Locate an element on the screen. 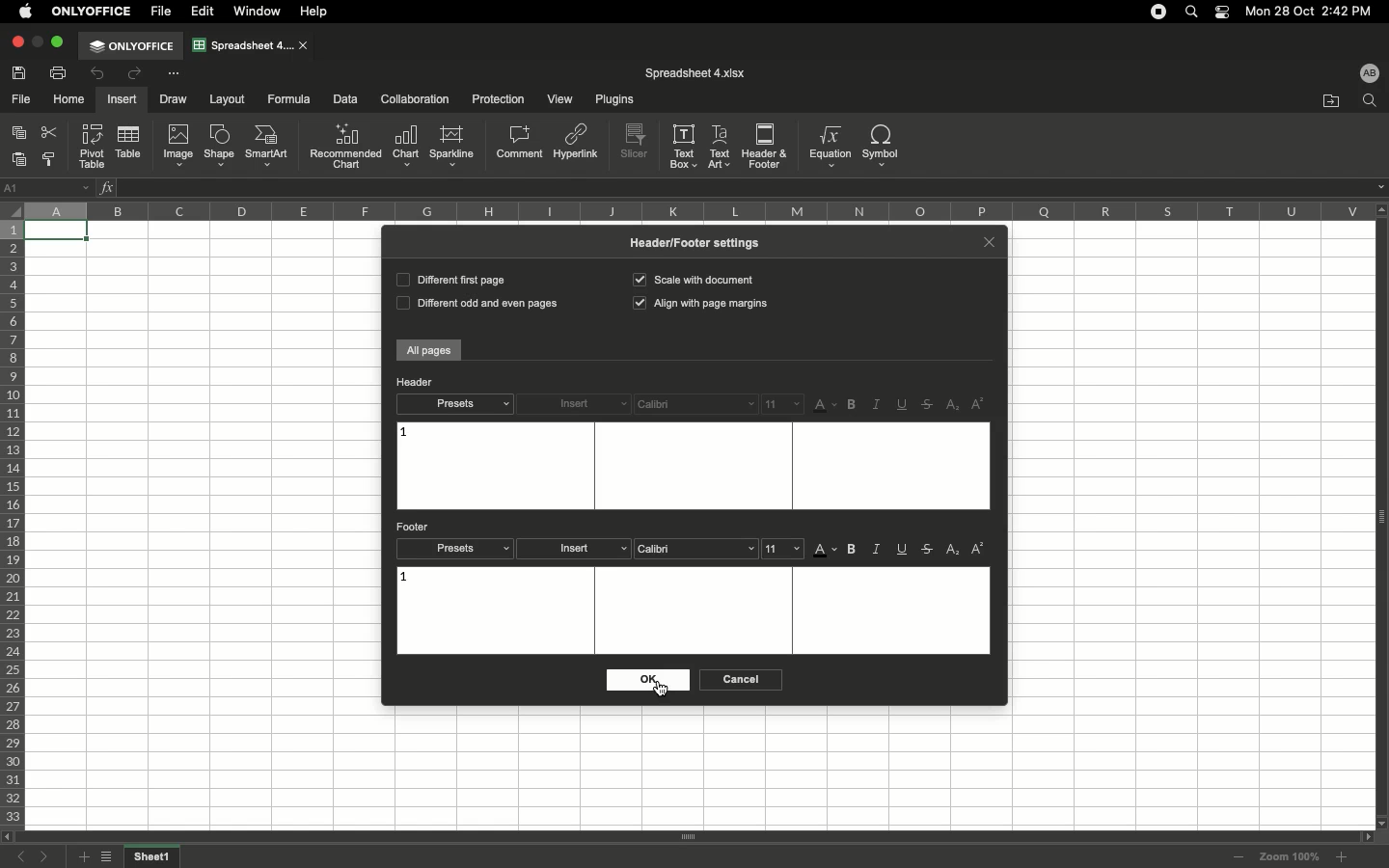  Text art is located at coordinates (721, 145).